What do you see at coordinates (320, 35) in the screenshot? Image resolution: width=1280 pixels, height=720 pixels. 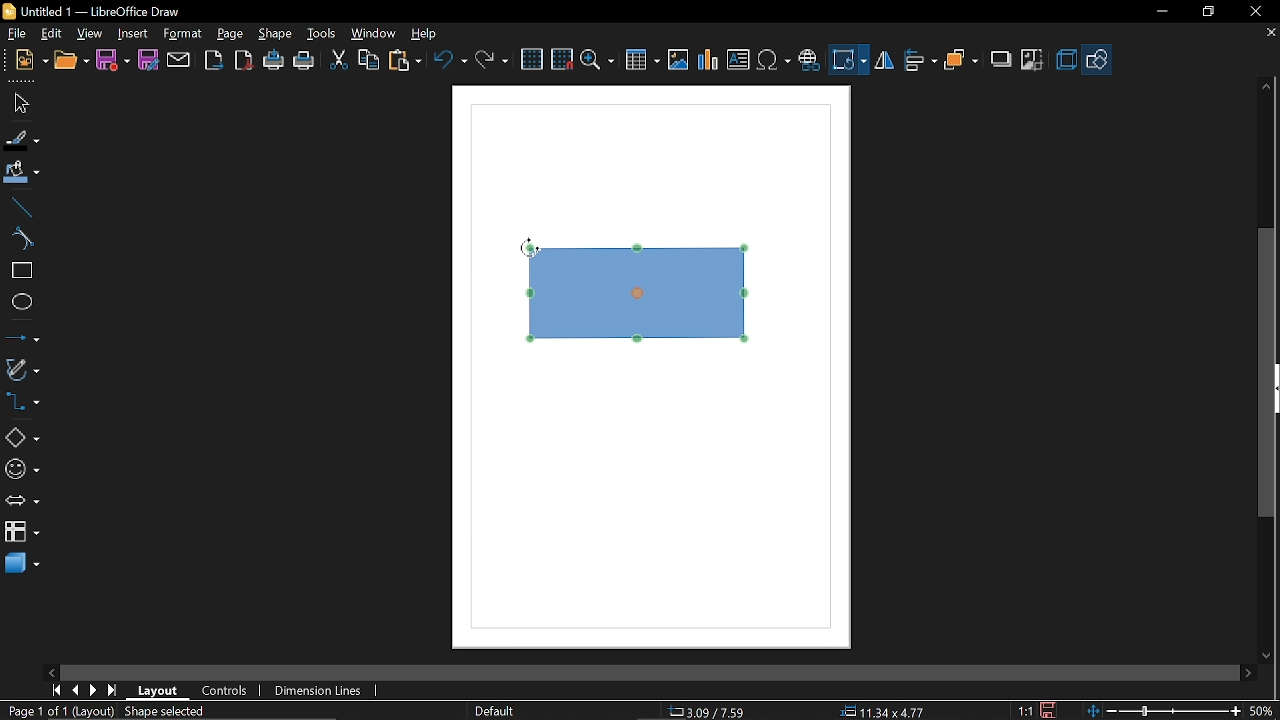 I see `Tools` at bounding box center [320, 35].